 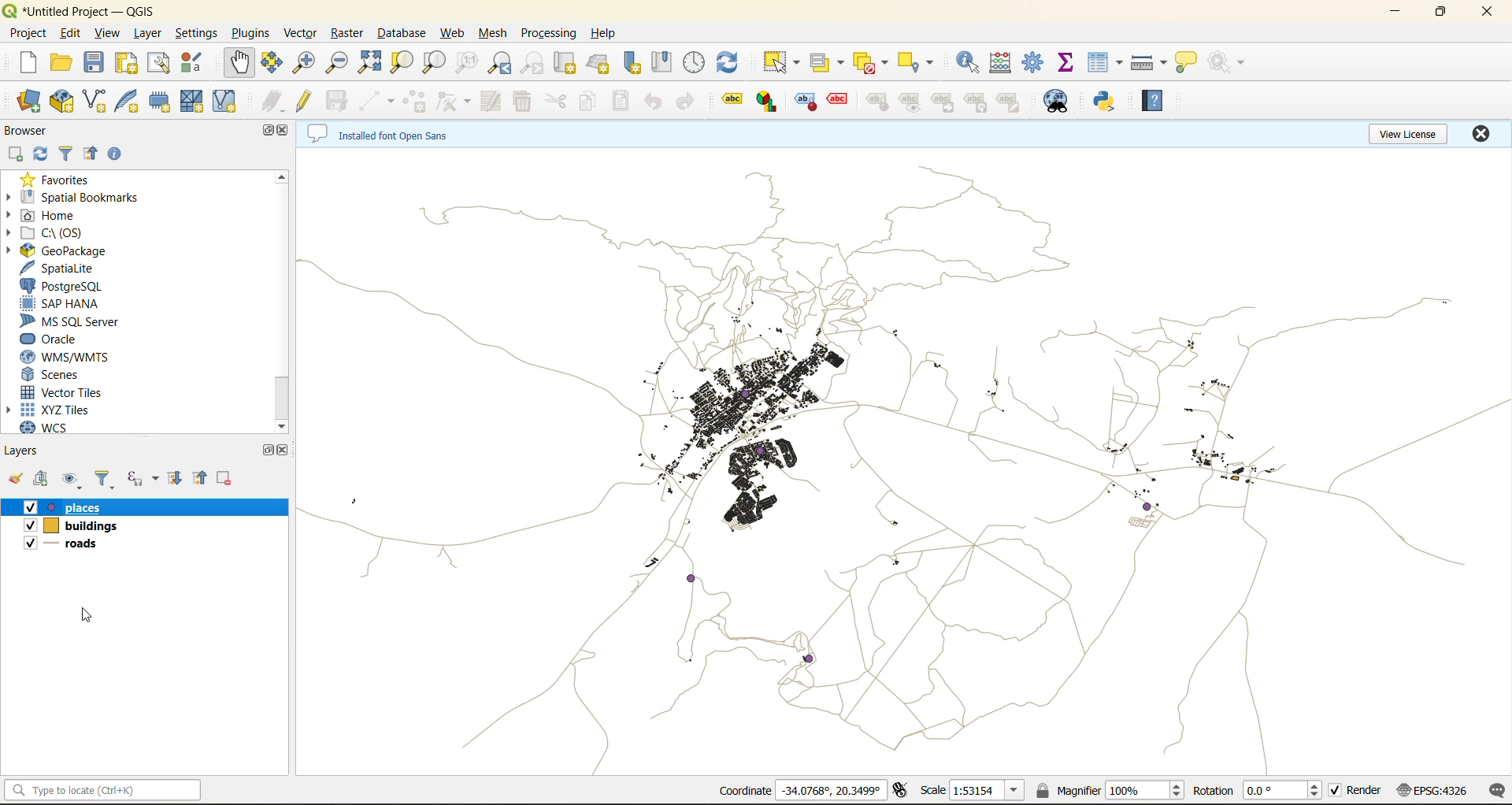 I want to click on oracle, so click(x=55, y=339).